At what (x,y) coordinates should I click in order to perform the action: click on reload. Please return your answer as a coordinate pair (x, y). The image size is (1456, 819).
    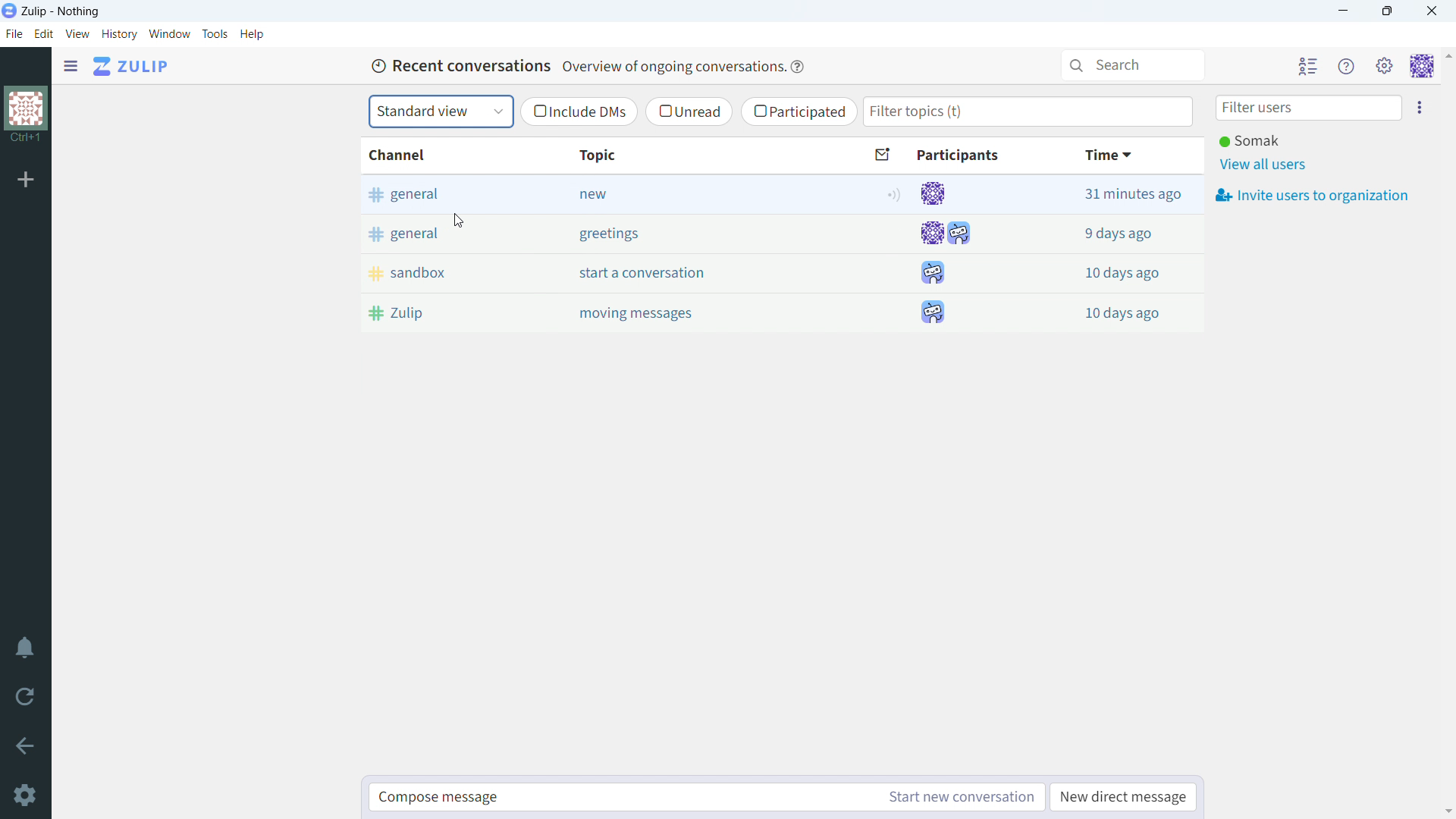
    Looking at the image, I should click on (27, 697).